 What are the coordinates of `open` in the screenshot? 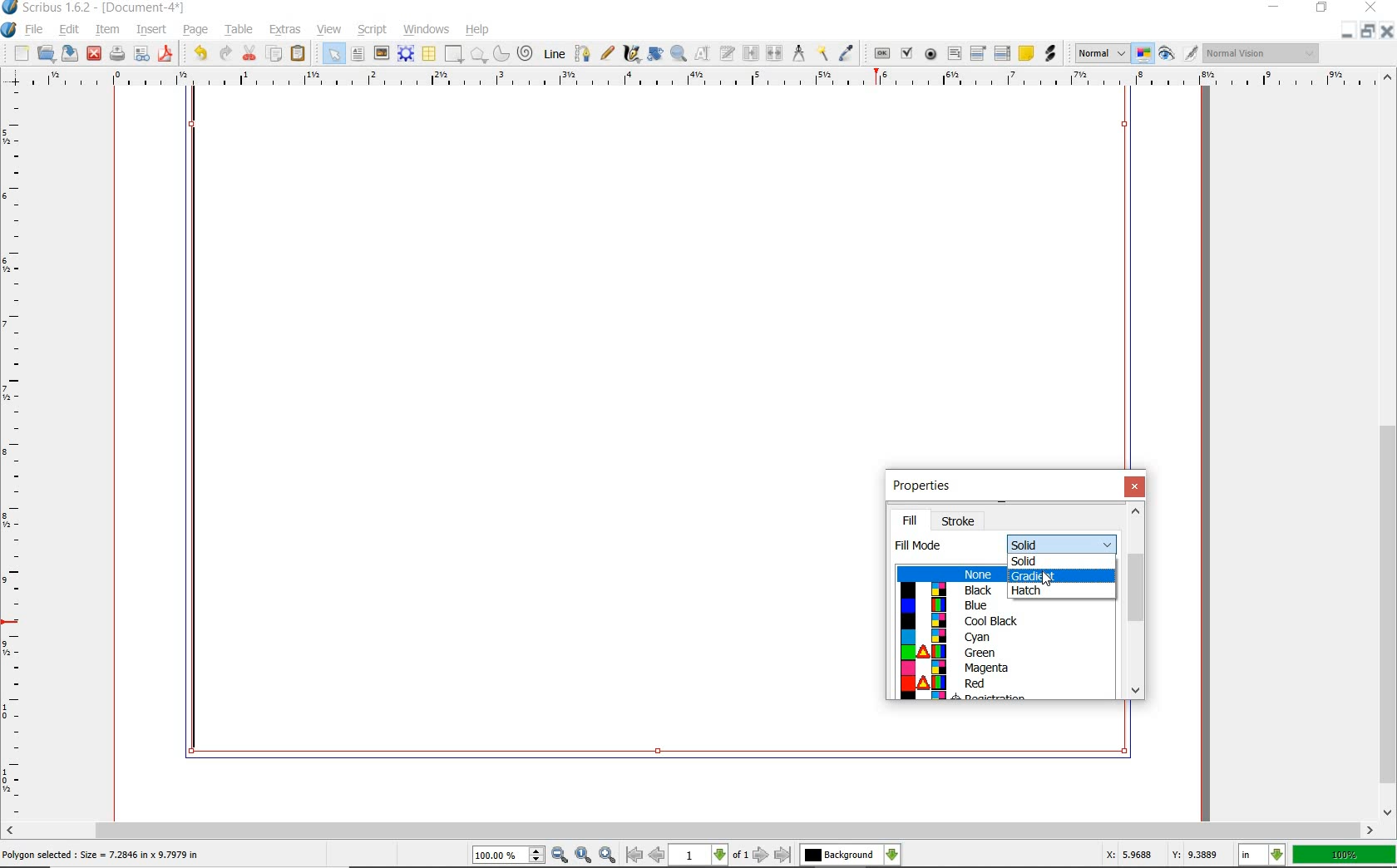 It's located at (47, 54).